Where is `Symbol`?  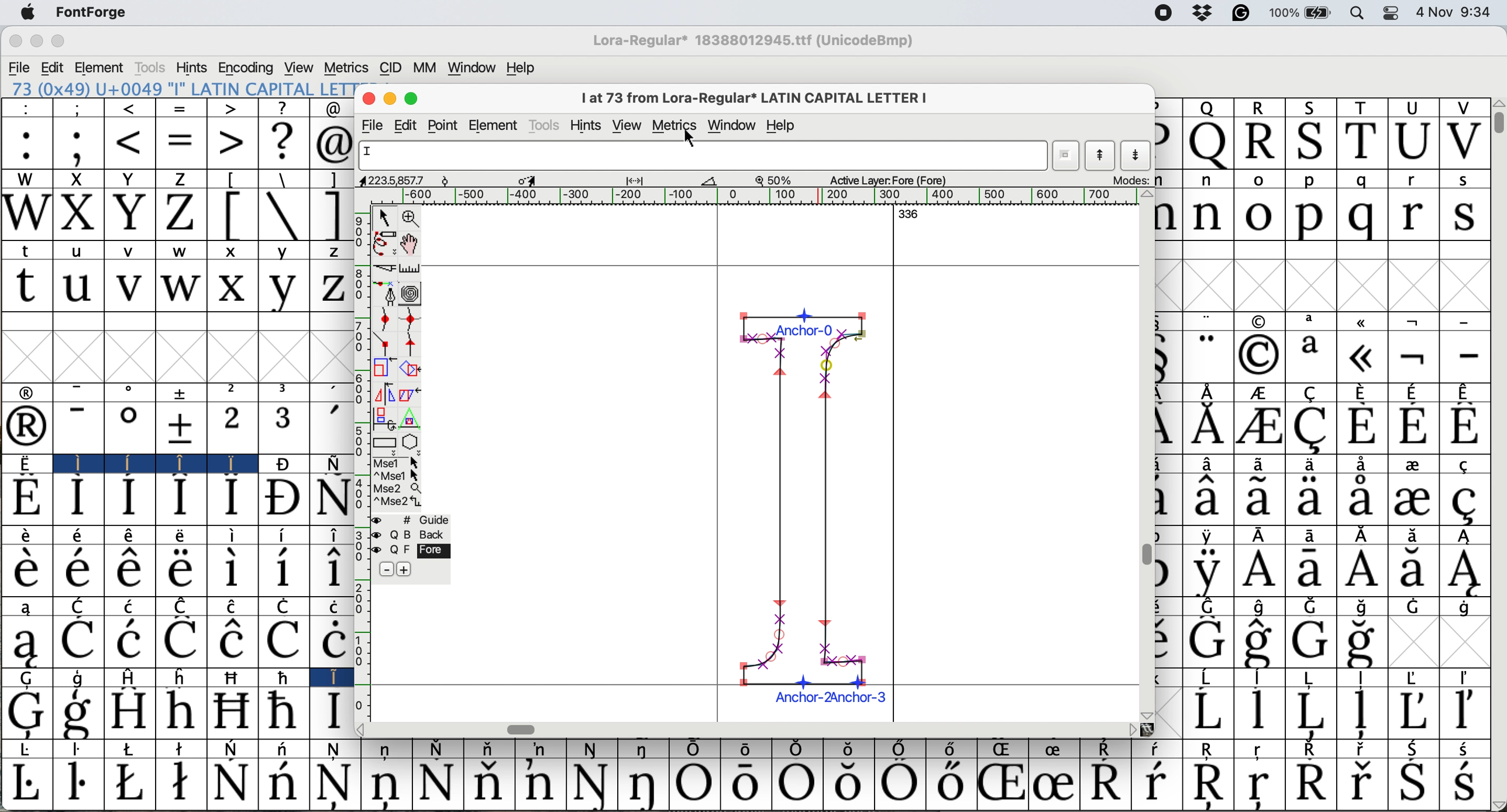 Symbol is located at coordinates (1207, 499).